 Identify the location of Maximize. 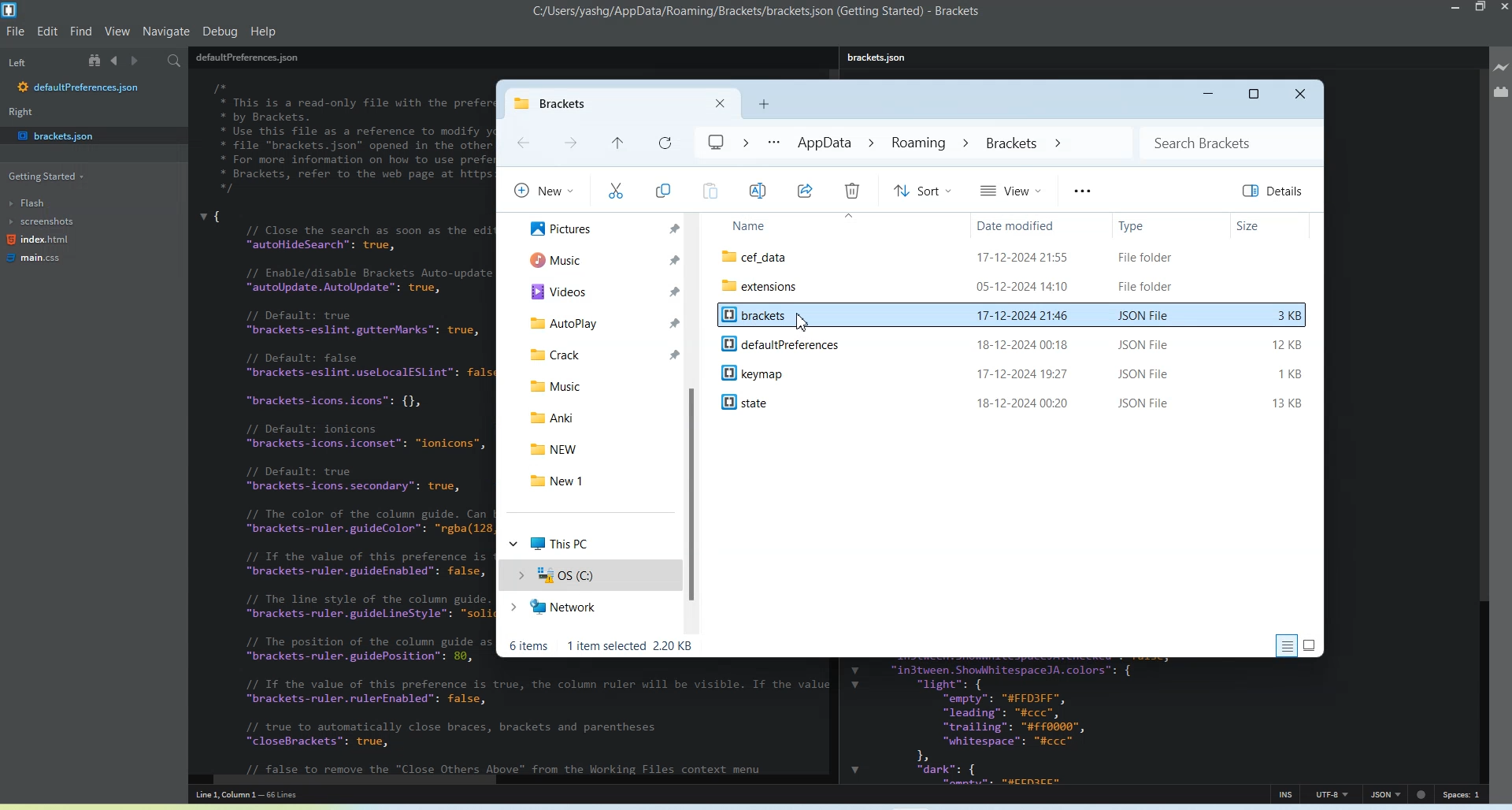
(1255, 95).